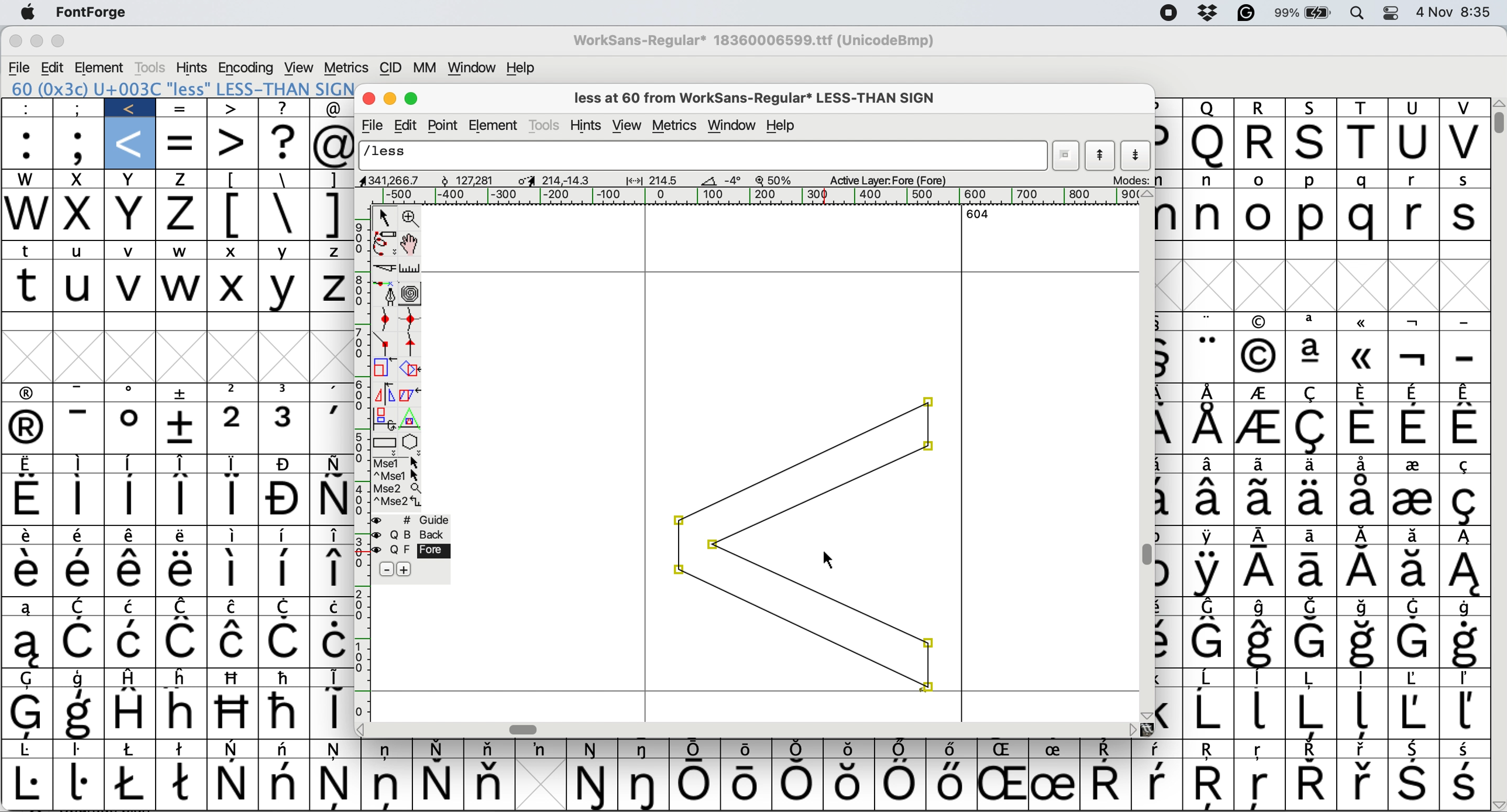 The image size is (1507, 812). I want to click on Symbol, so click(130, 429).